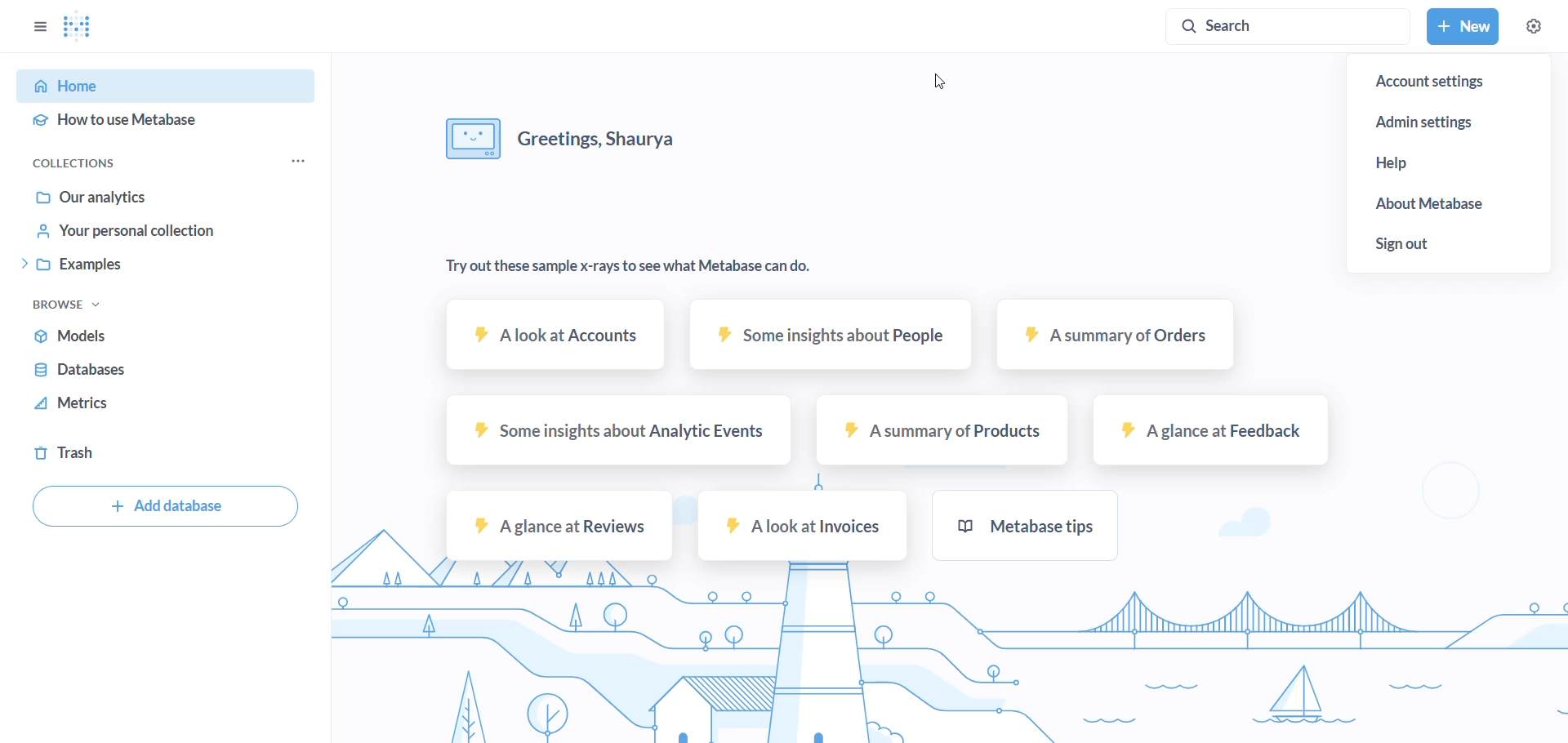 The image size is (1568, 743). Describe the element at coordinates (1450, 124) in the screenshot. I see `admin settings` at that location.